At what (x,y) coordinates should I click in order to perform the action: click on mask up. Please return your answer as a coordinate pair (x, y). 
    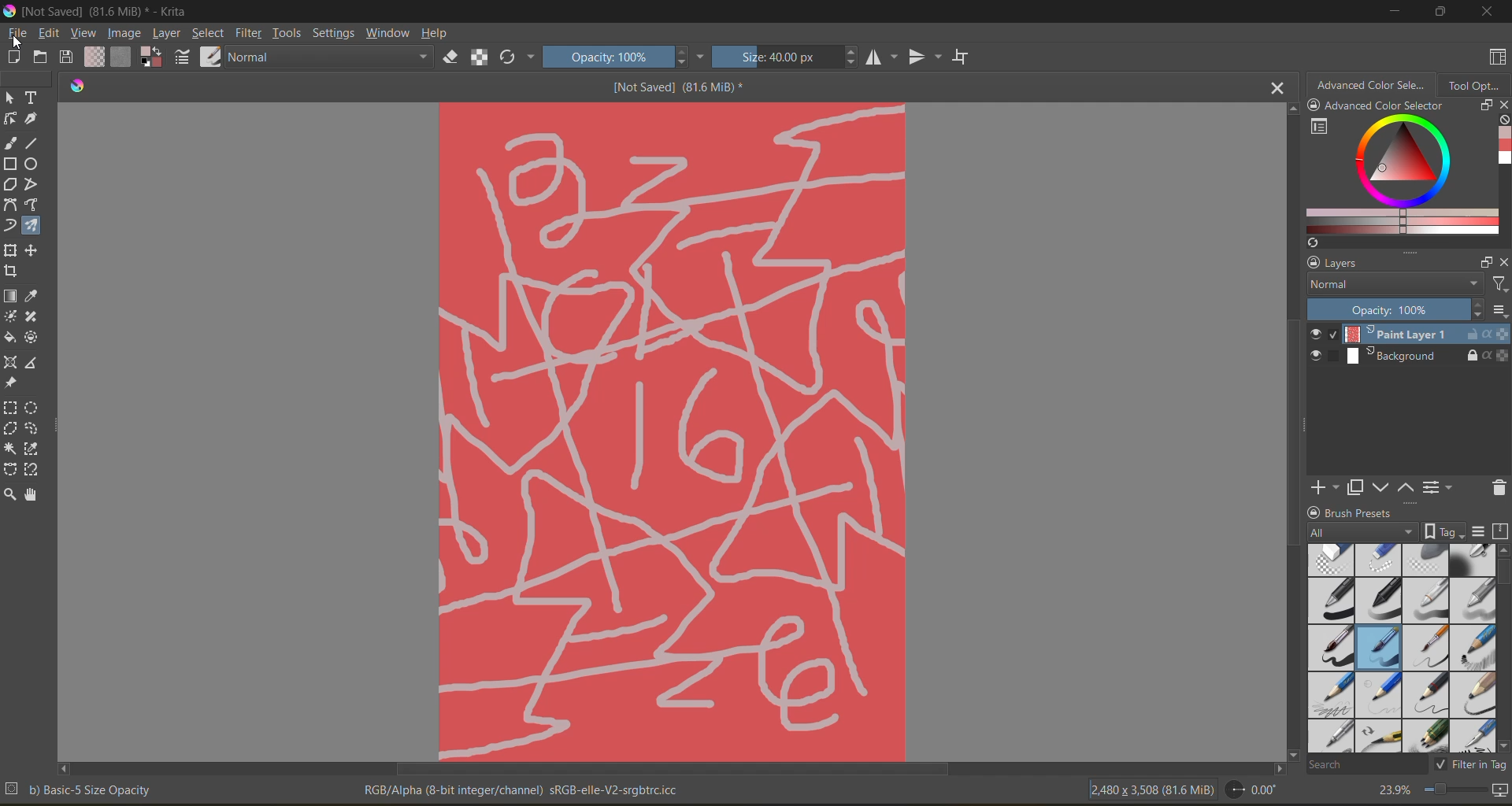
    Looking at the image, I should click on (1407, 486).